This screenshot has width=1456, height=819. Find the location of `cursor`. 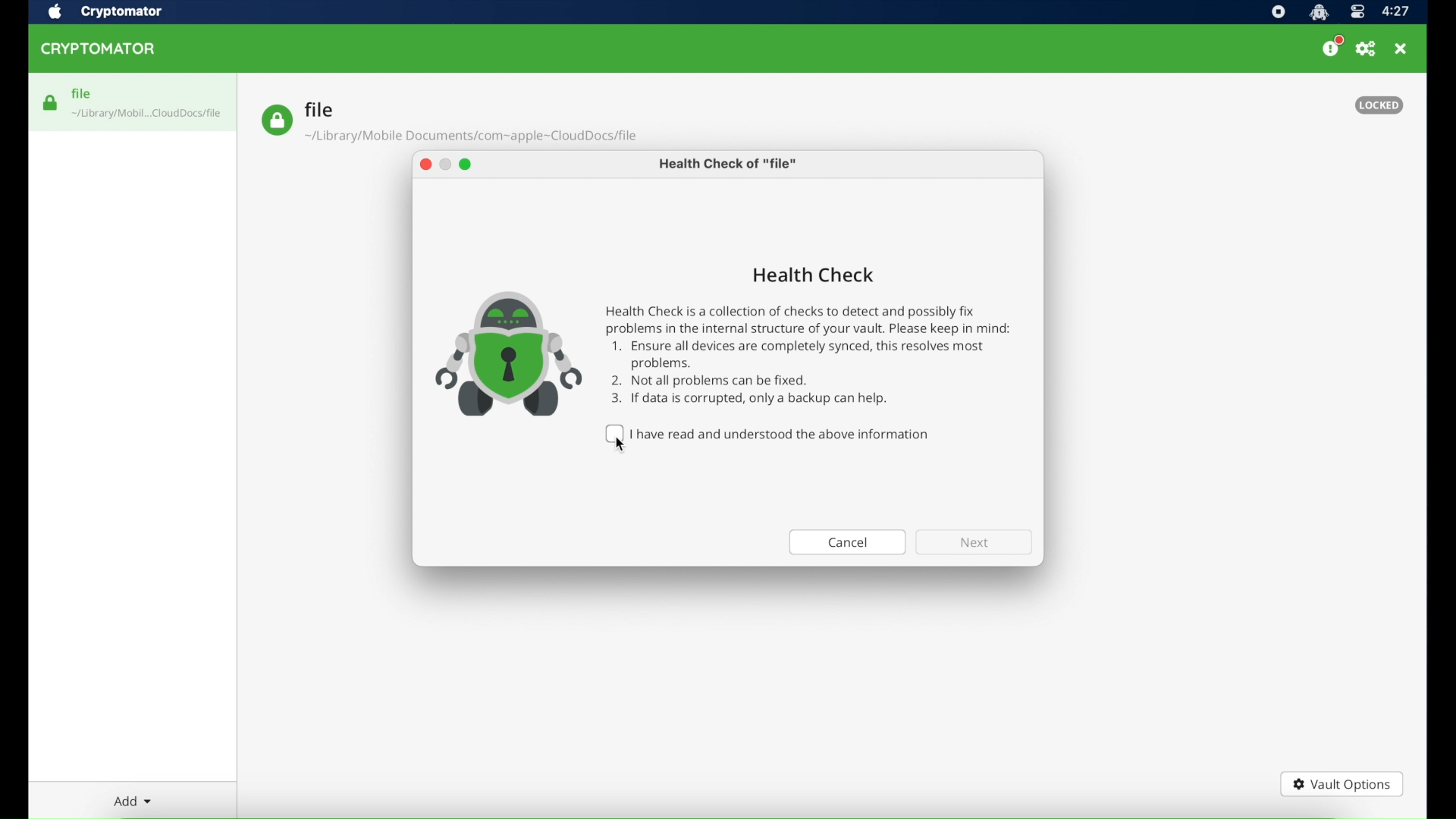

cursor is located at coordinates (621, 444).